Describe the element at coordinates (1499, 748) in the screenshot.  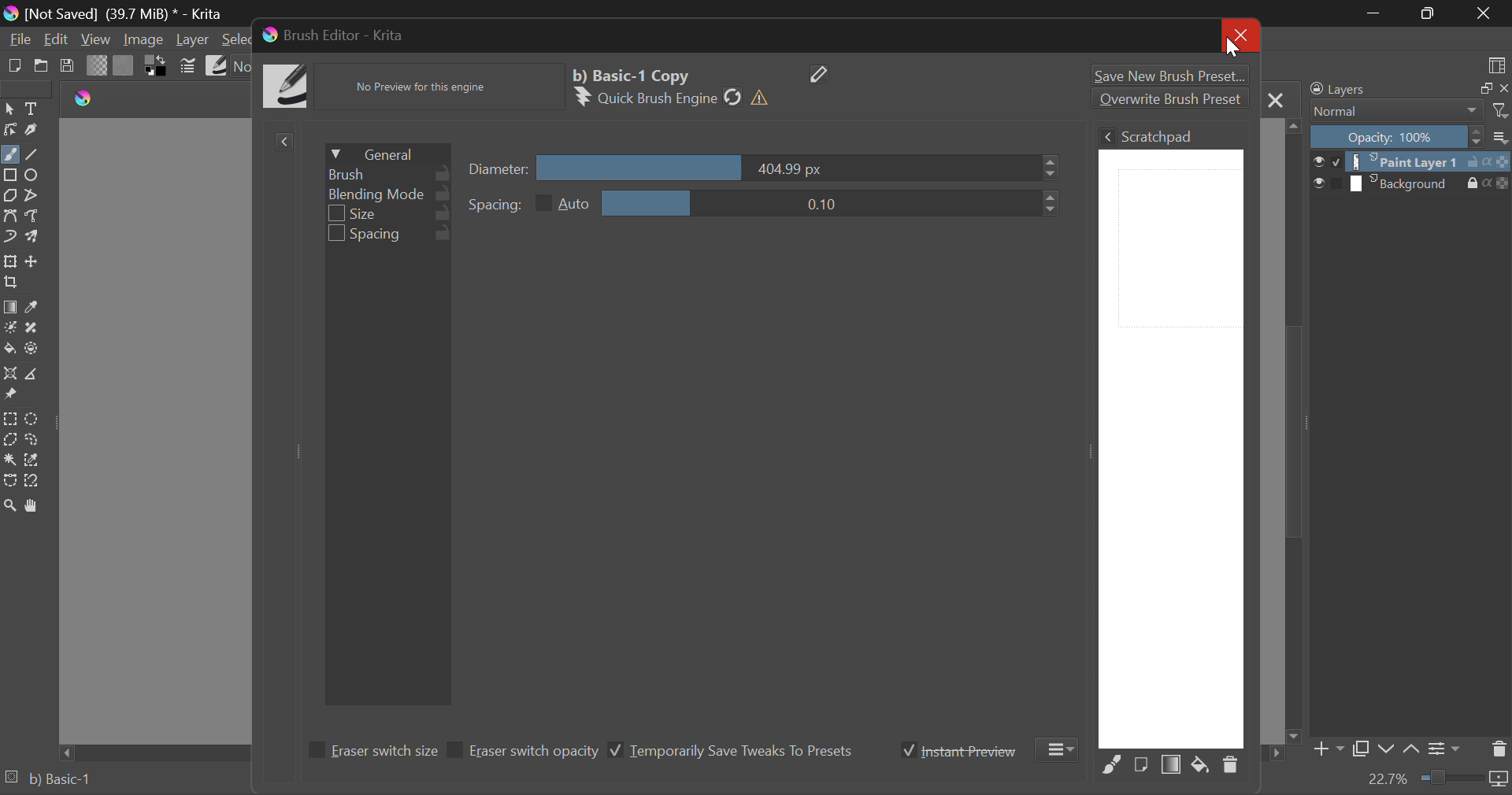
I see `Delete Layer` at that location.